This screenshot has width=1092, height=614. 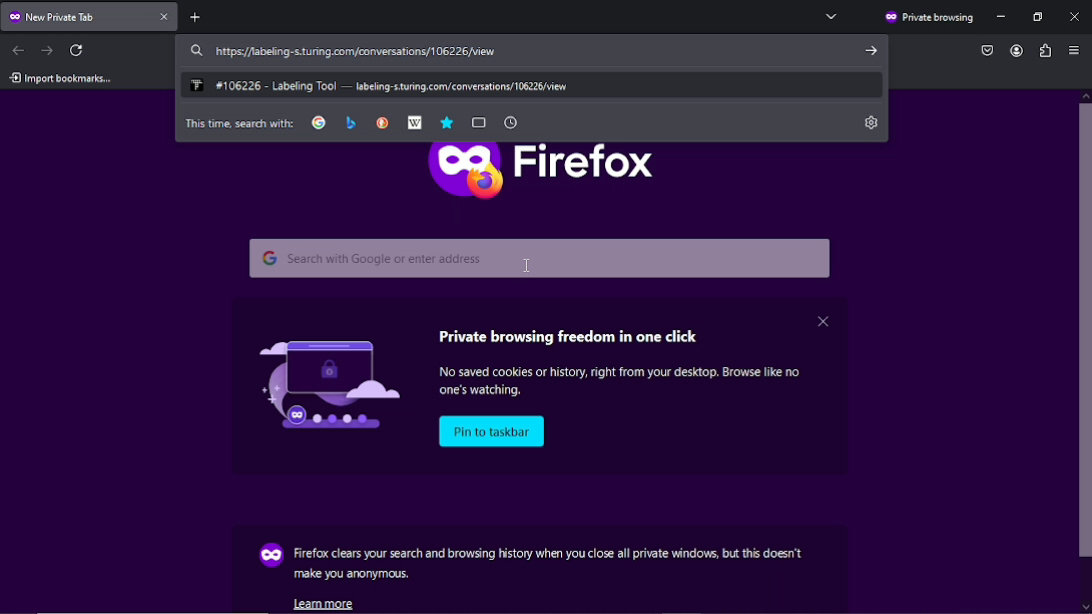 I want to click on go forward, so click(x=47, y=49).